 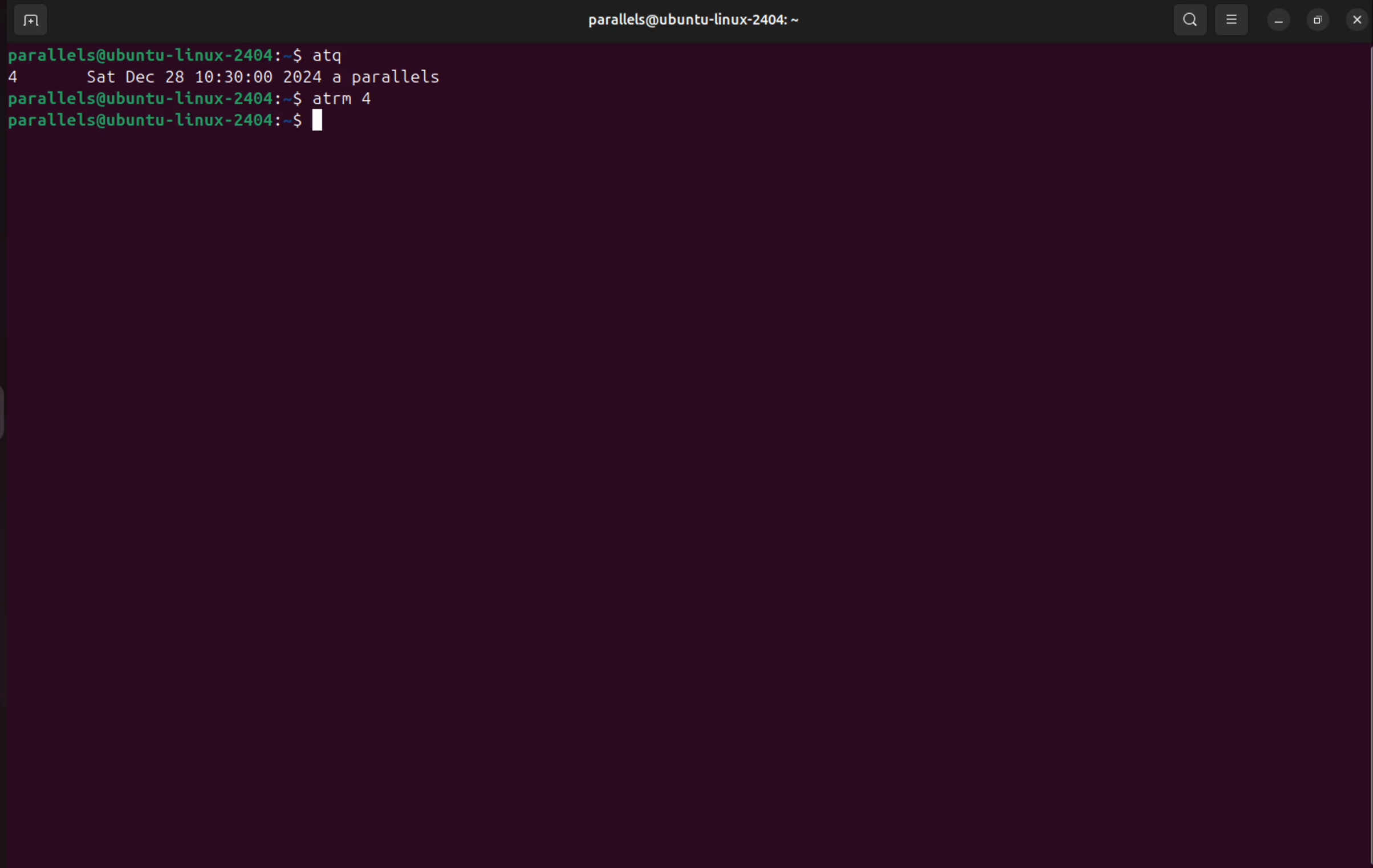 What do you see at coordinates (177, 56) in the screenshot?
I see `bash prompt` at bounding box center [177, 56].